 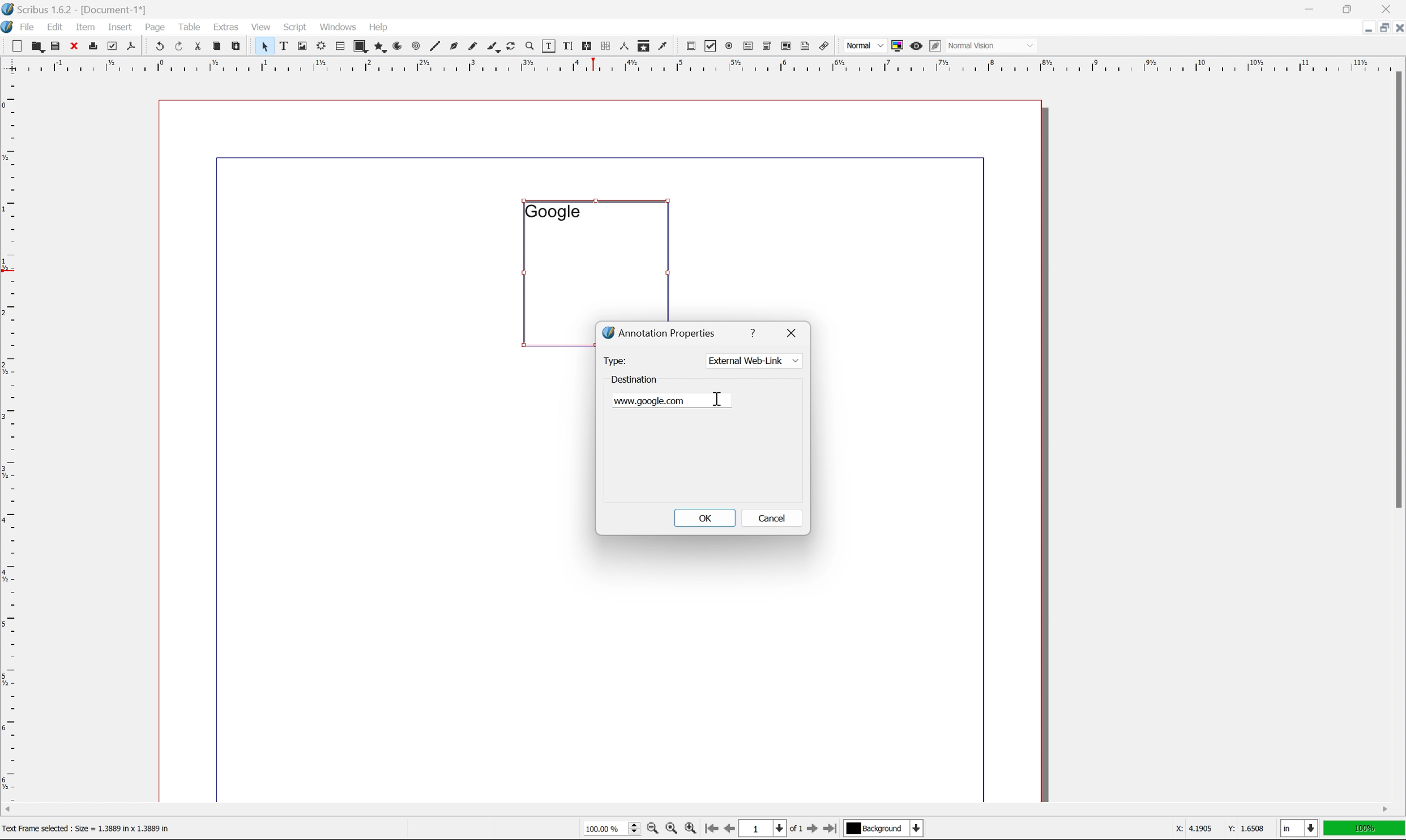 I want to click on normal, so click(x=864, y=45).